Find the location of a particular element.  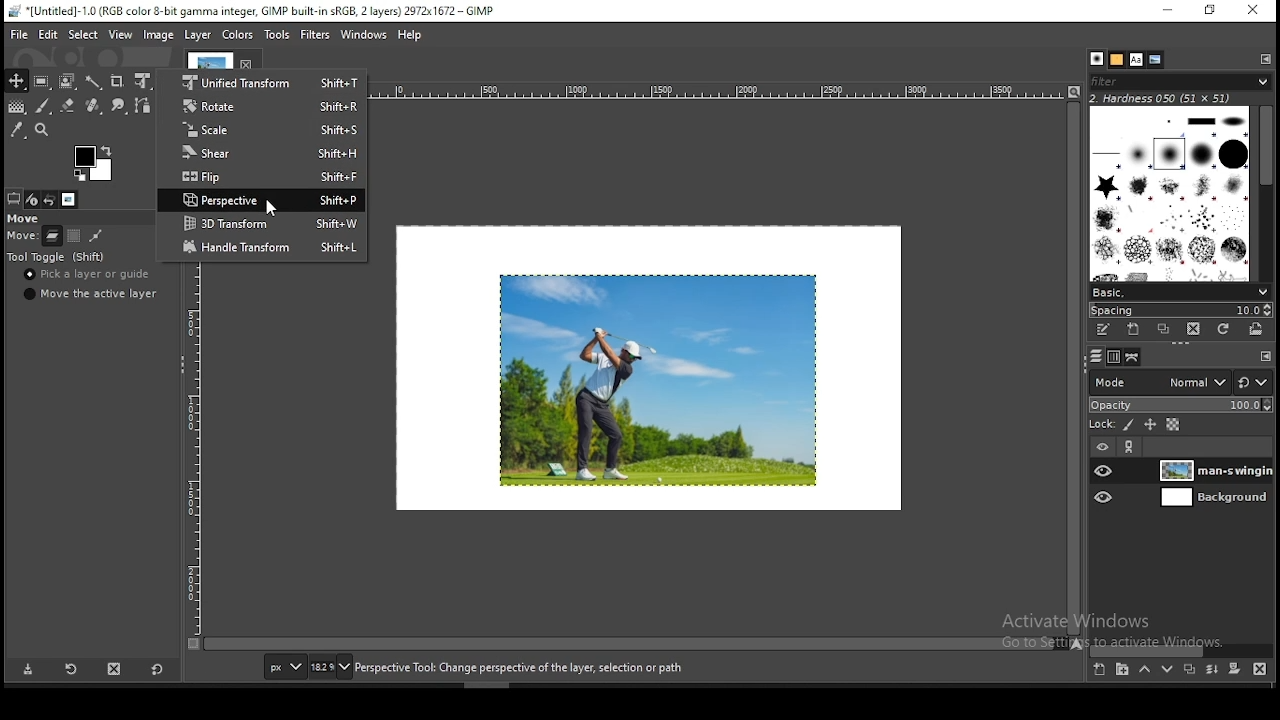

select is located at coordinates (82, 35).